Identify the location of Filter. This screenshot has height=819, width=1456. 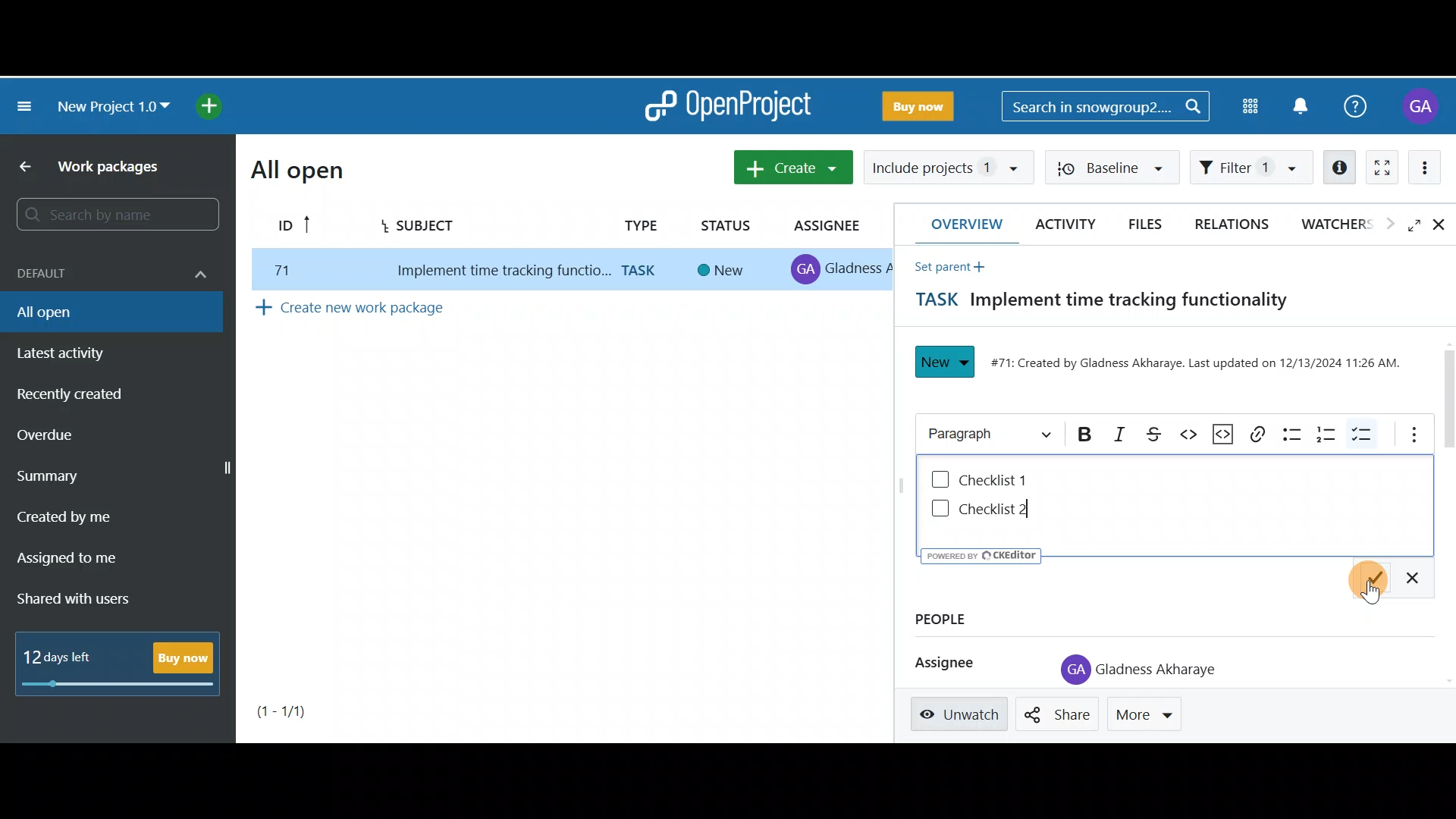
(1254, 168).